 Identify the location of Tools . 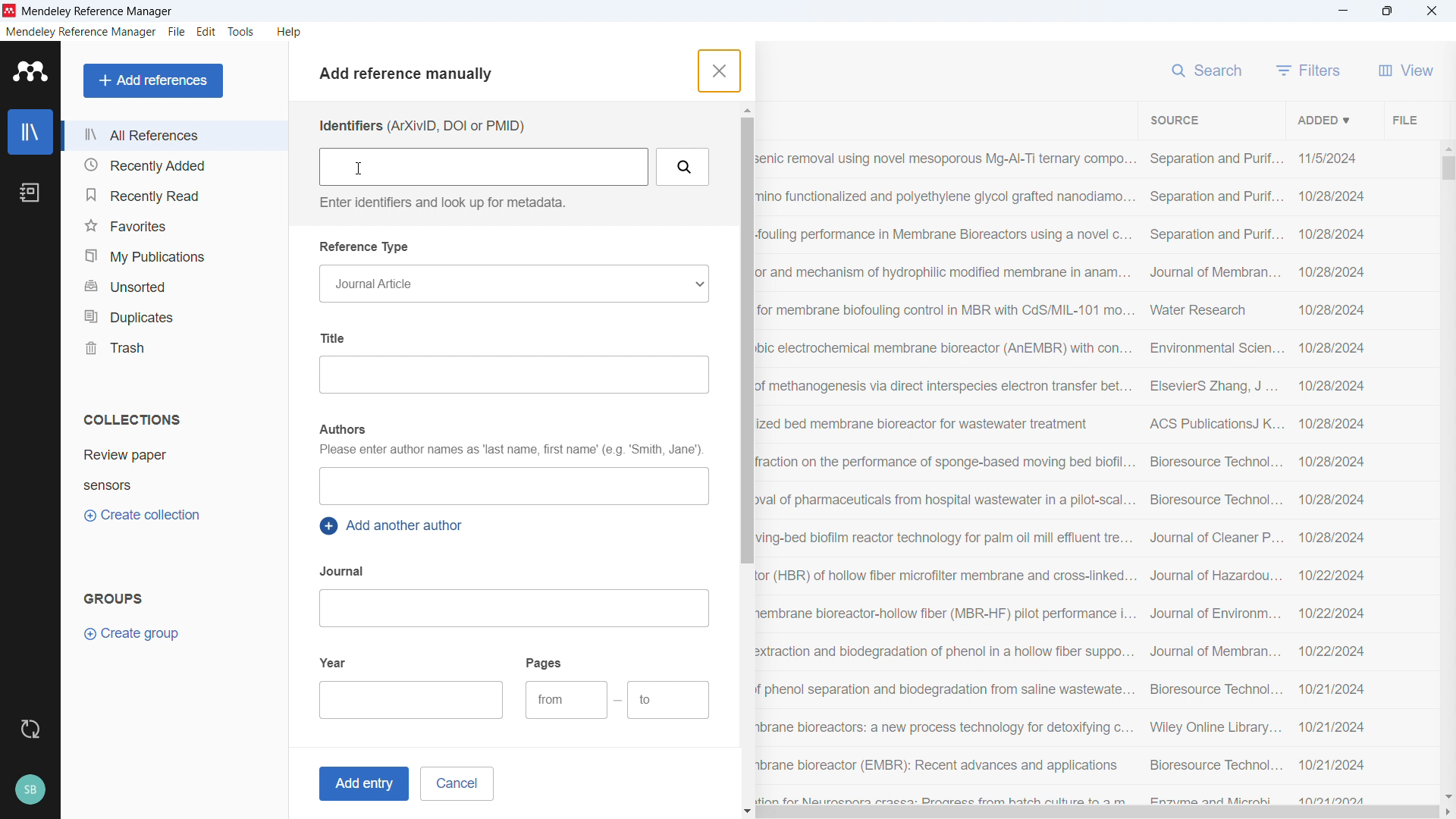
(241, 32).